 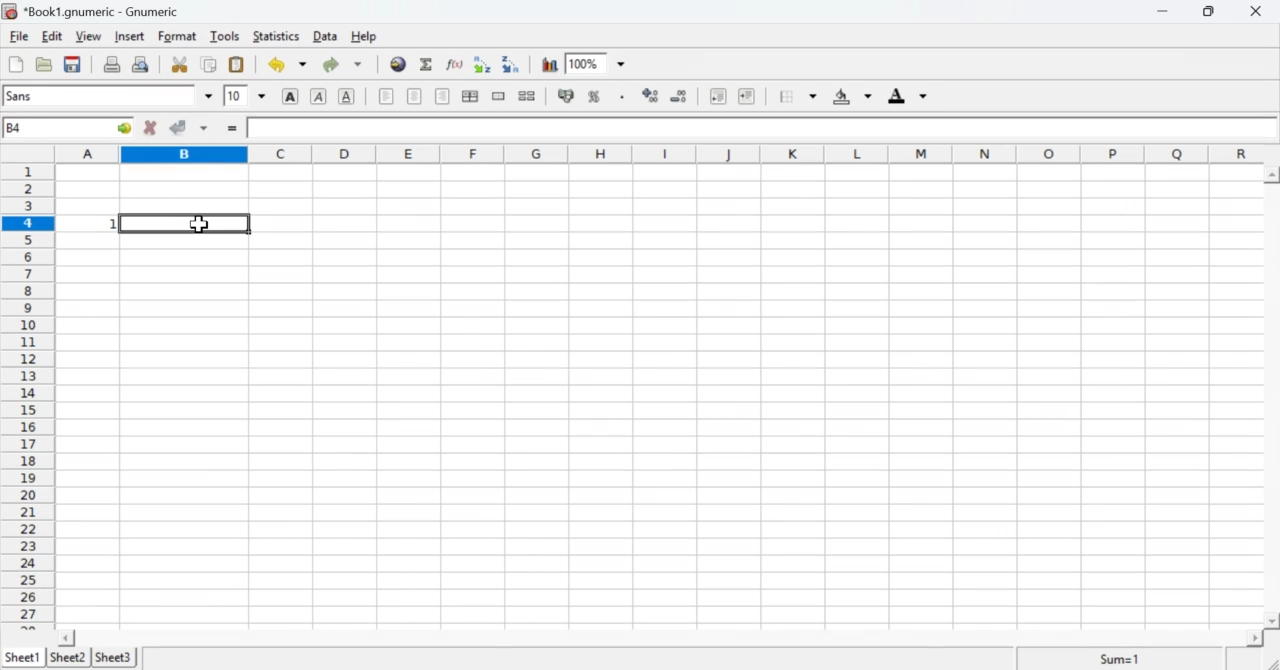 What do you see at coordinates (1164, 11) in the screenshot?
I see `Minimize` at bounding box center [1164, 11].